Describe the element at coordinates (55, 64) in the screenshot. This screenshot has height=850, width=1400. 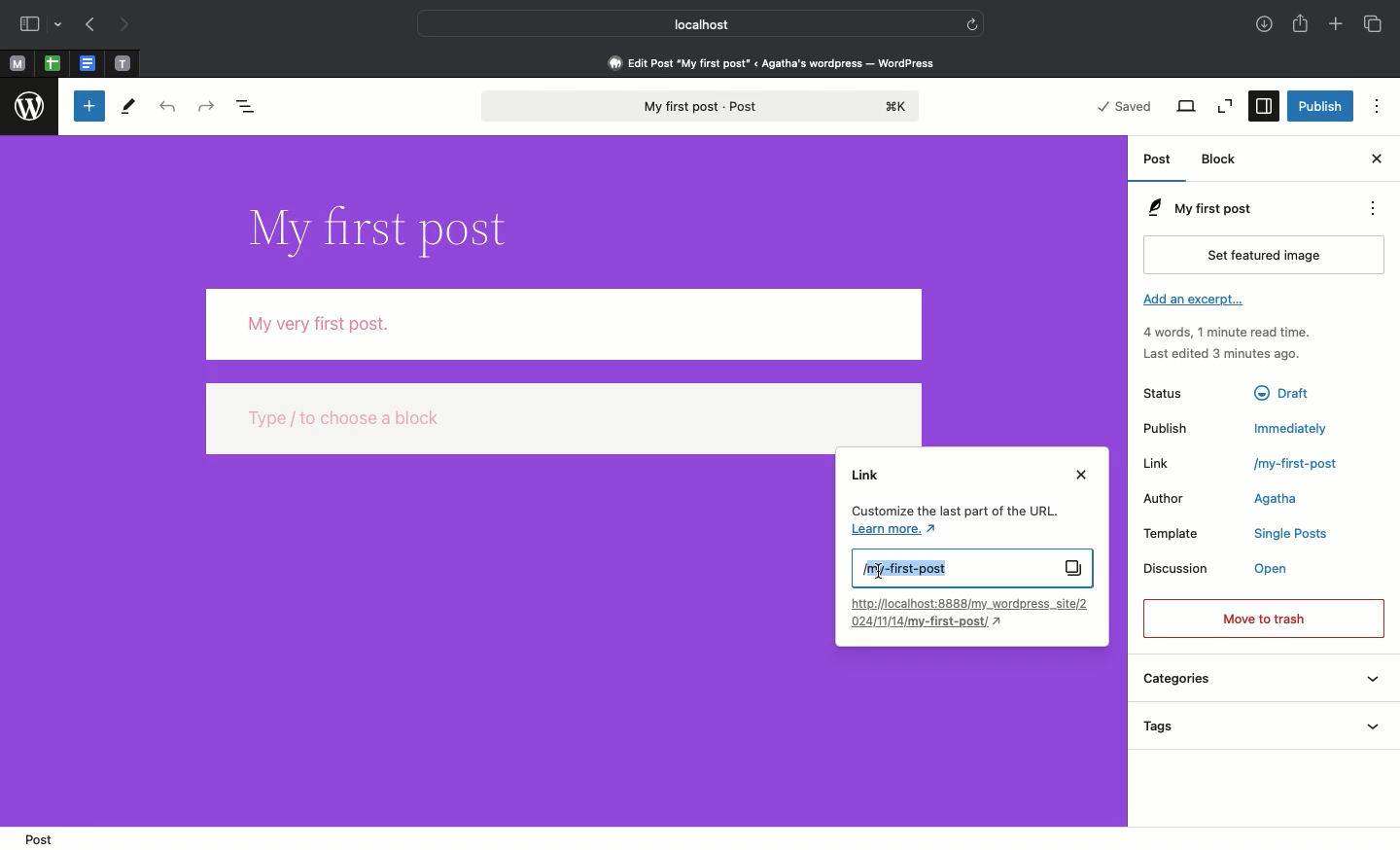
I see `pinned tabs` at that location.